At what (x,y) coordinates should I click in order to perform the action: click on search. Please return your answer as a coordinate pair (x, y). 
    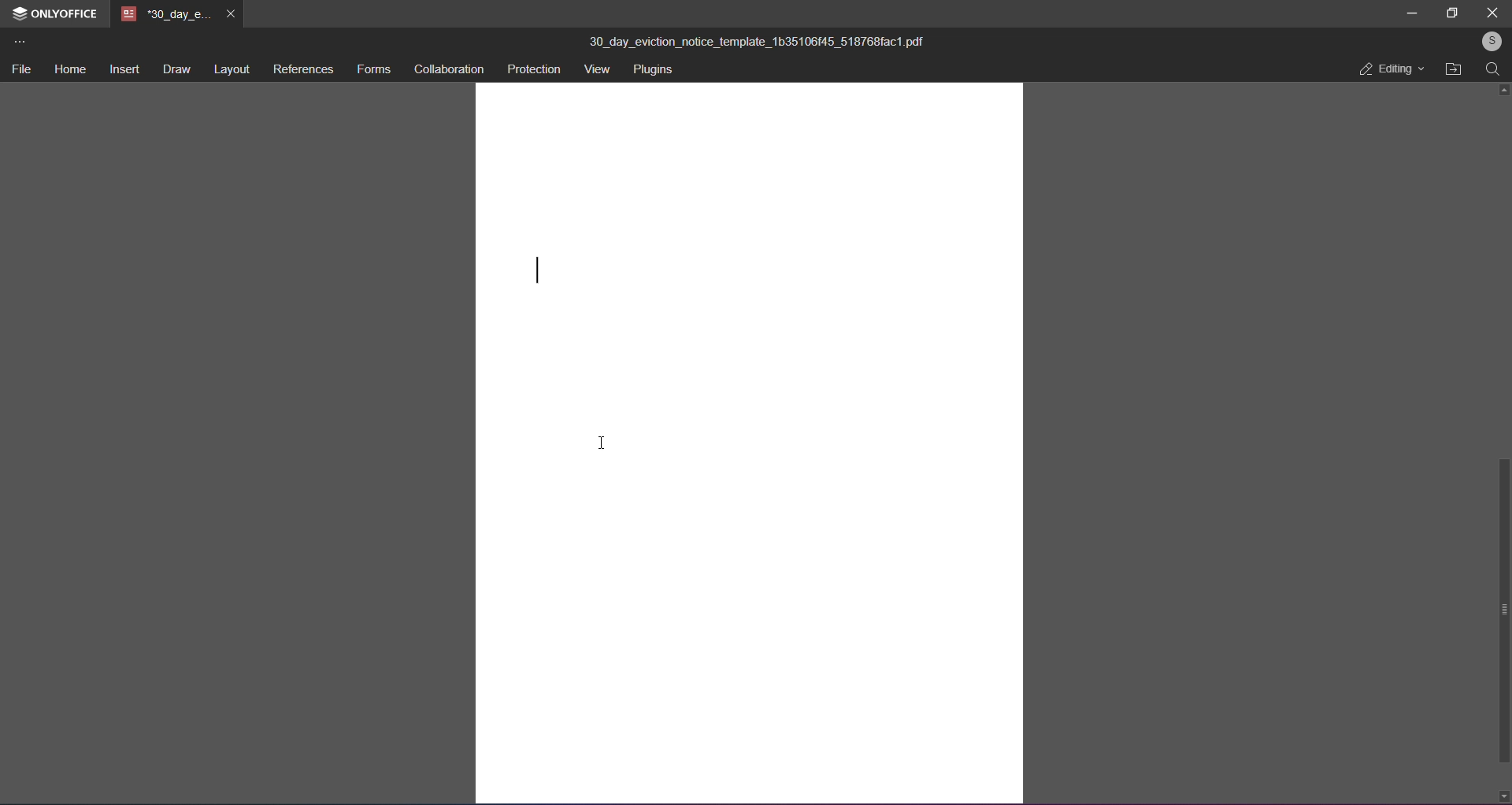
    Looking at the image, I should click on (1492, 72).